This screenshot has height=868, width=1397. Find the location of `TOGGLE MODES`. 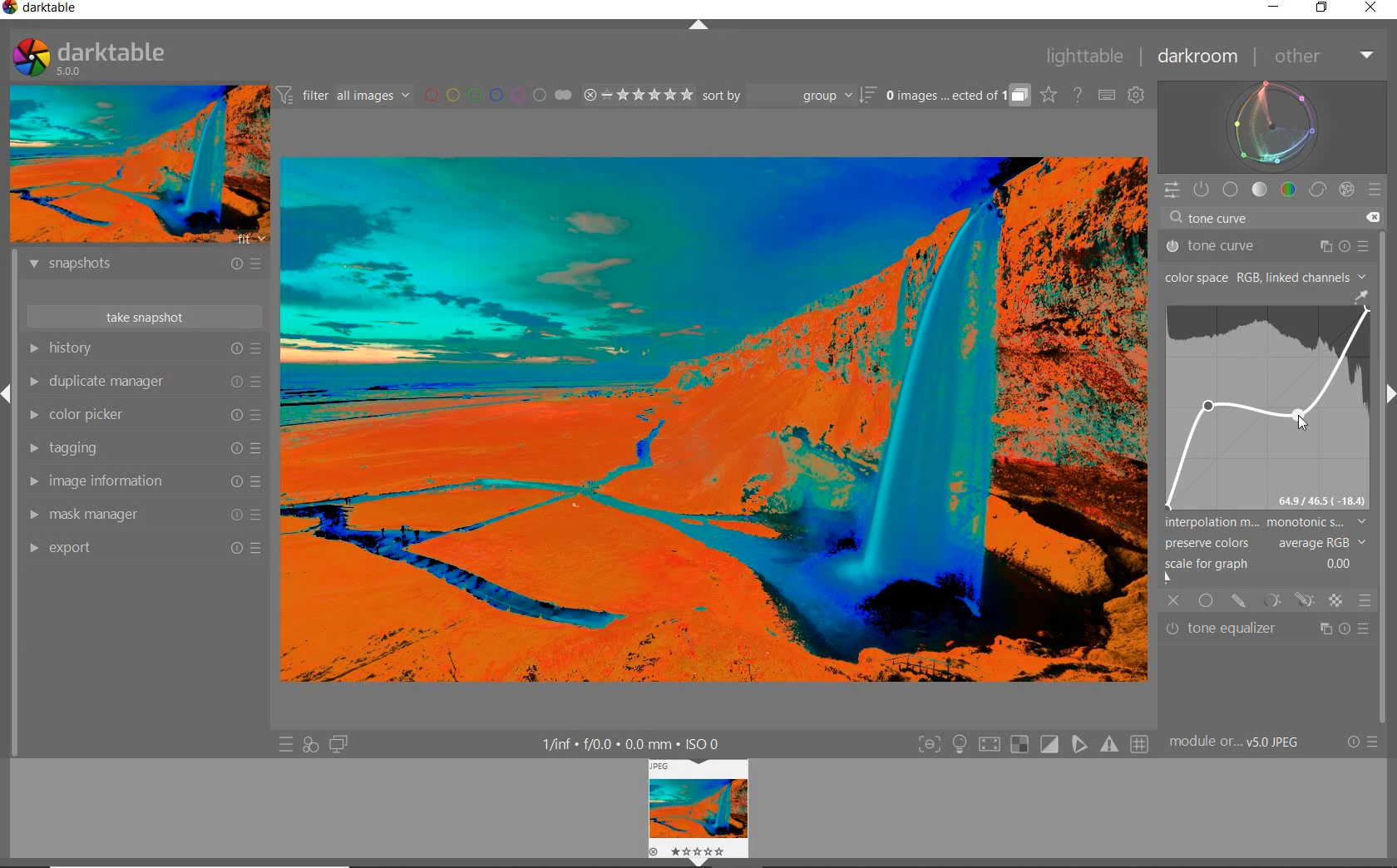

TOGGLE MODES is located at coordinates (1032, 745).